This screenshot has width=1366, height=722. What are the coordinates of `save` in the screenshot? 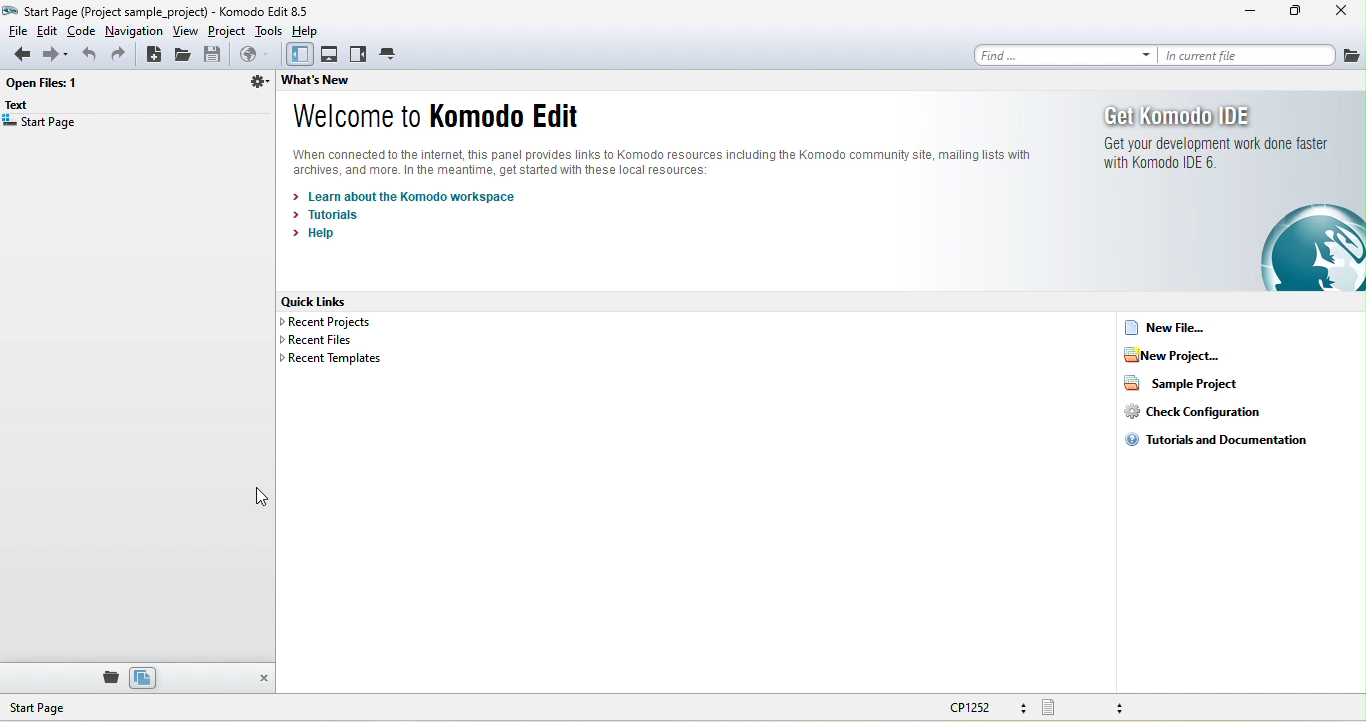 It's located at (215, 55).